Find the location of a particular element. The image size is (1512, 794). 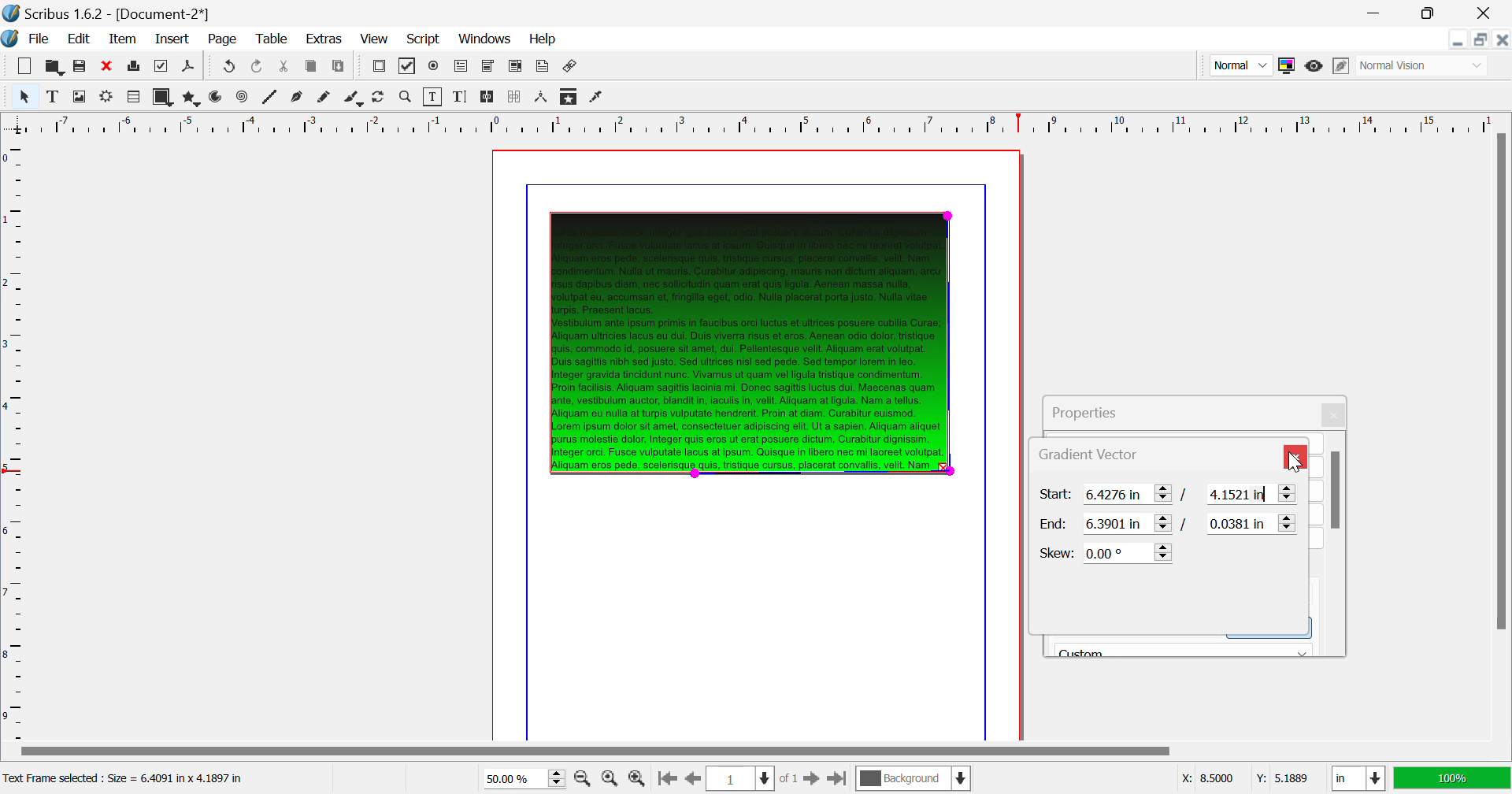

Discard is located at coordinates (107, 66).